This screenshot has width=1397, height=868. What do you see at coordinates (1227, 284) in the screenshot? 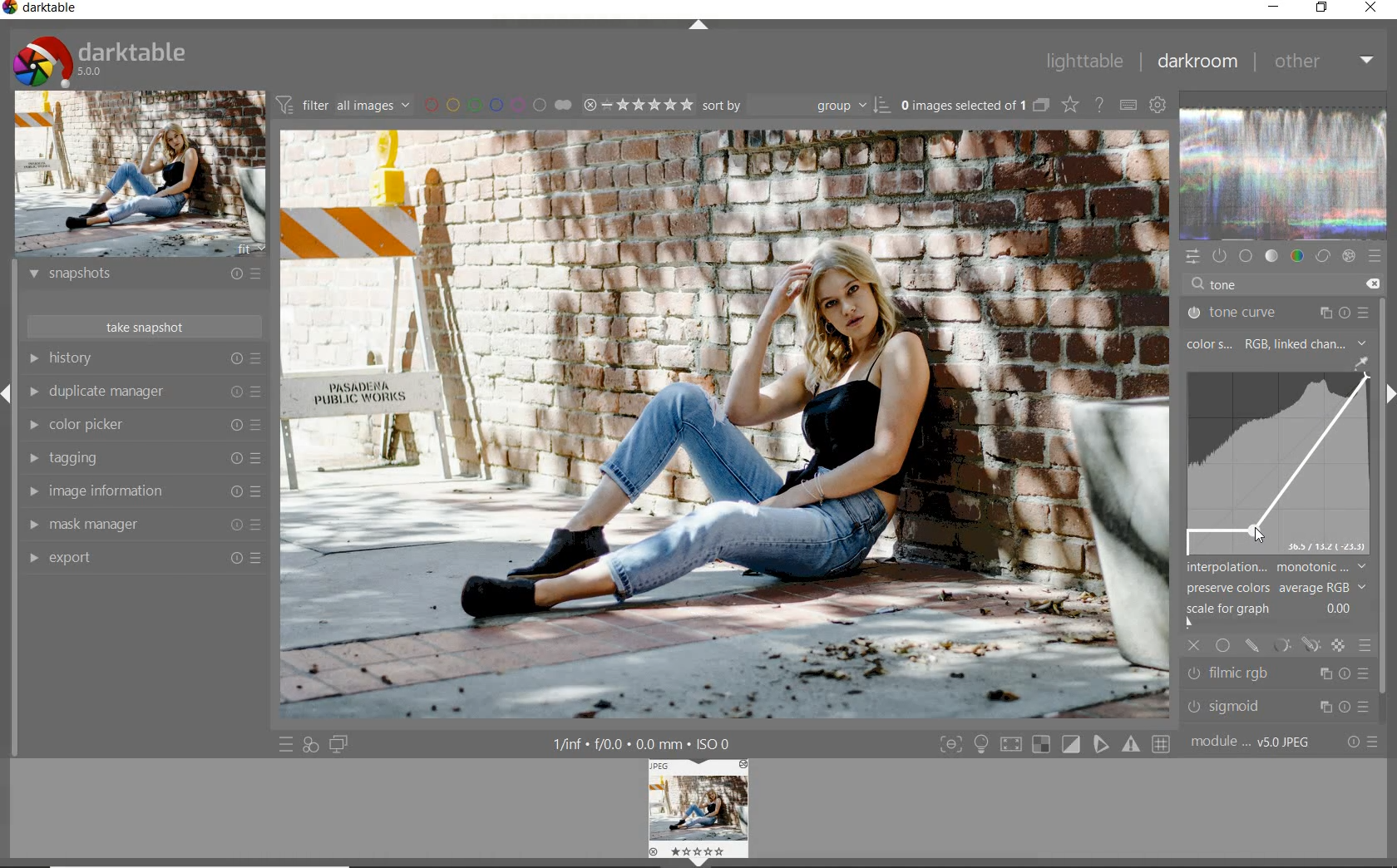
I see `tone` at bounding box center [1227, 284].